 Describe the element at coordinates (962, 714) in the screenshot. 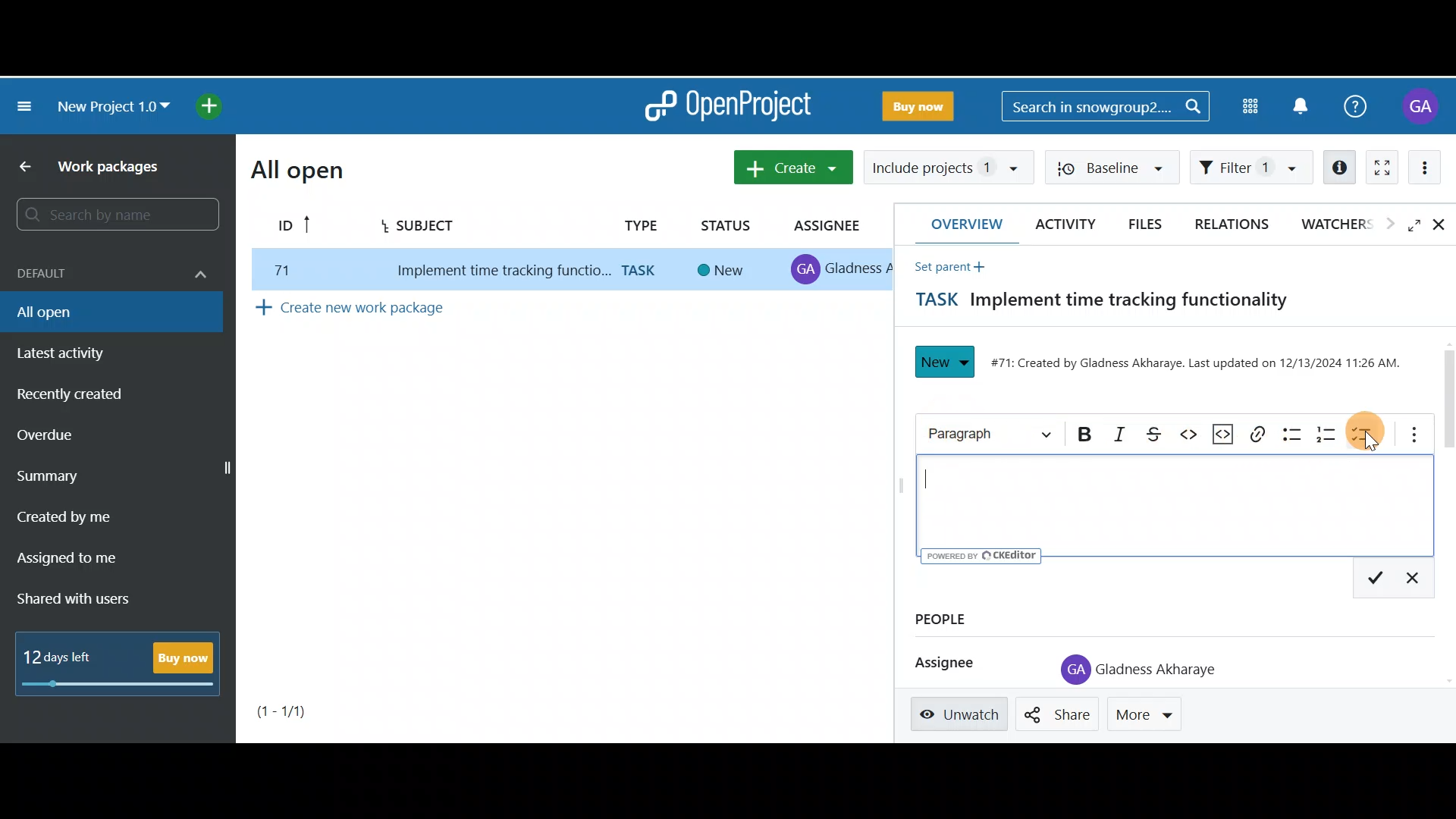

I see `Unwatch` at that location.